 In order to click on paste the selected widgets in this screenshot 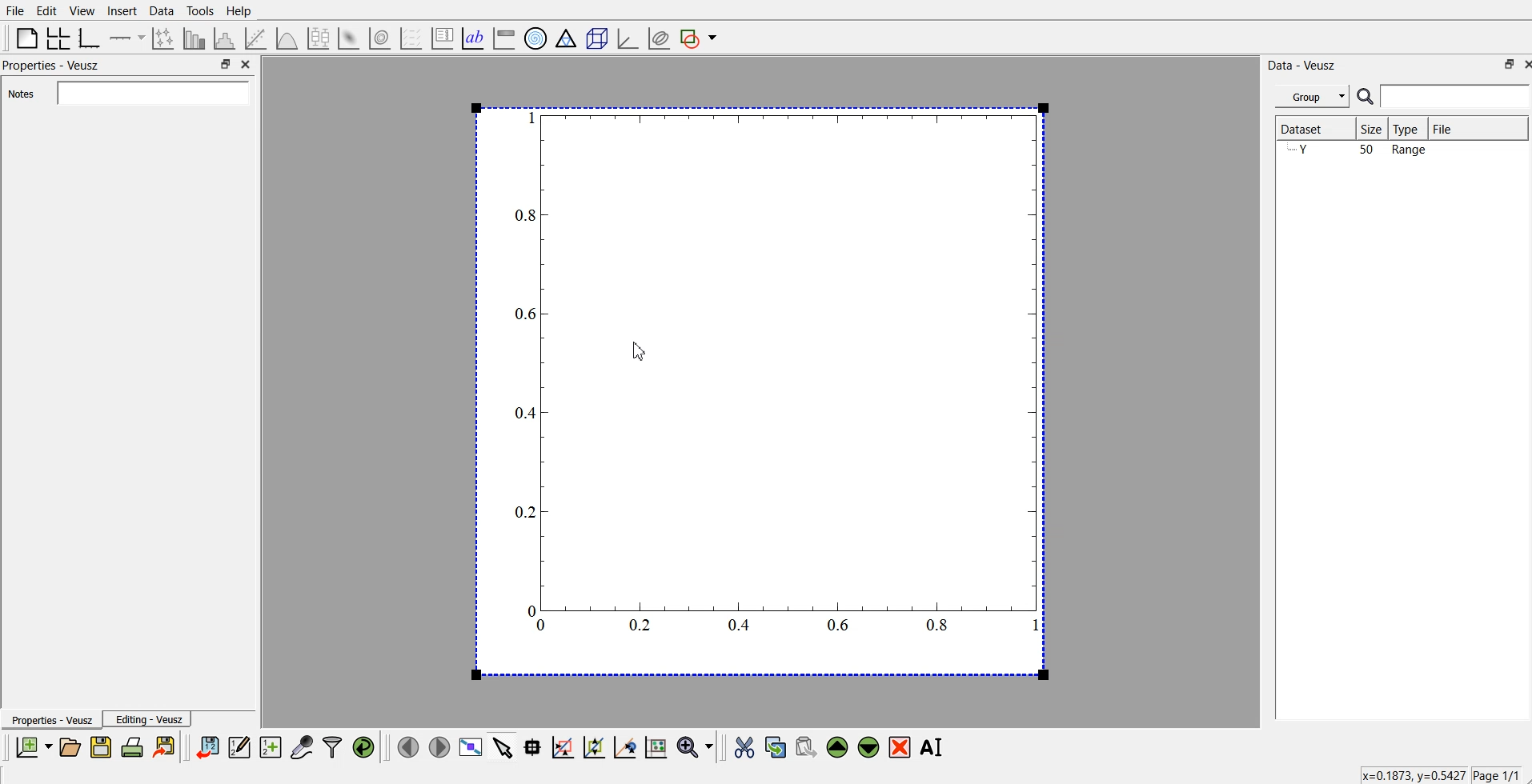, I will do `click(806, 748)`.